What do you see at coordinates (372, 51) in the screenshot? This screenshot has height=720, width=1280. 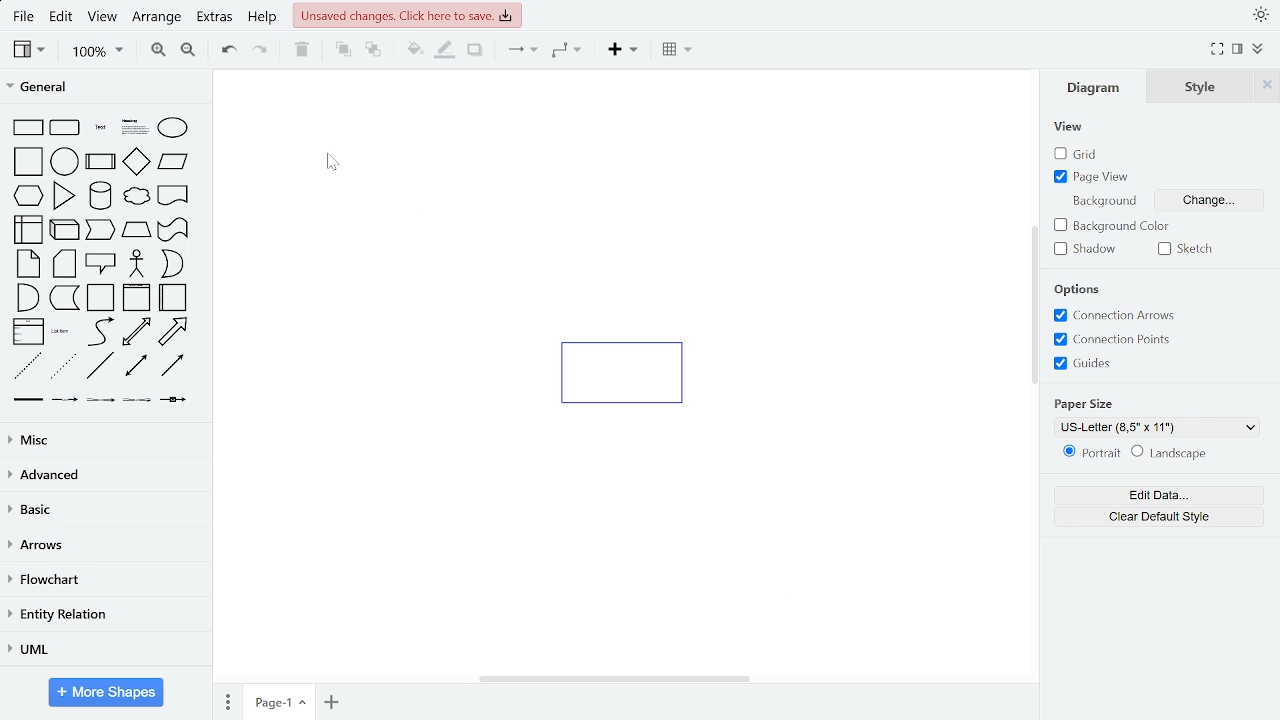 I see `to back` at bounding box center [372, 51].